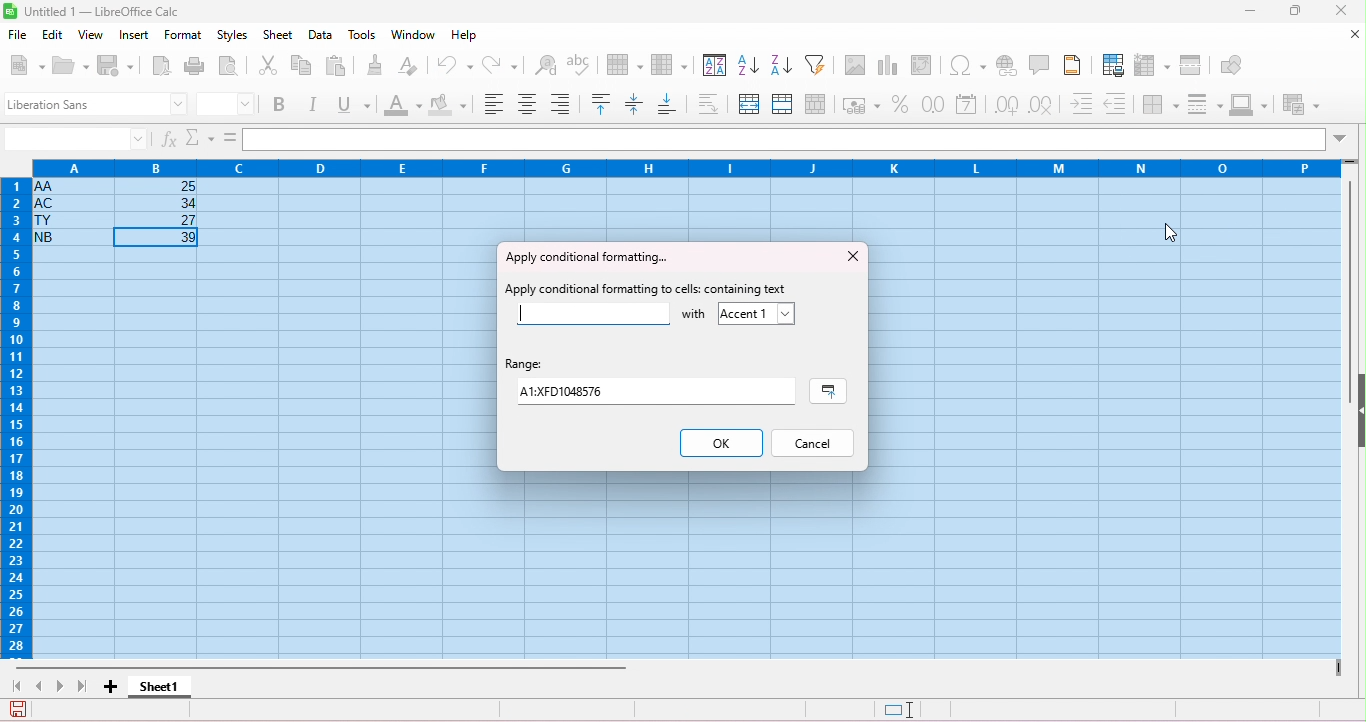  I want to click on increase indent, so click(1083, 103).